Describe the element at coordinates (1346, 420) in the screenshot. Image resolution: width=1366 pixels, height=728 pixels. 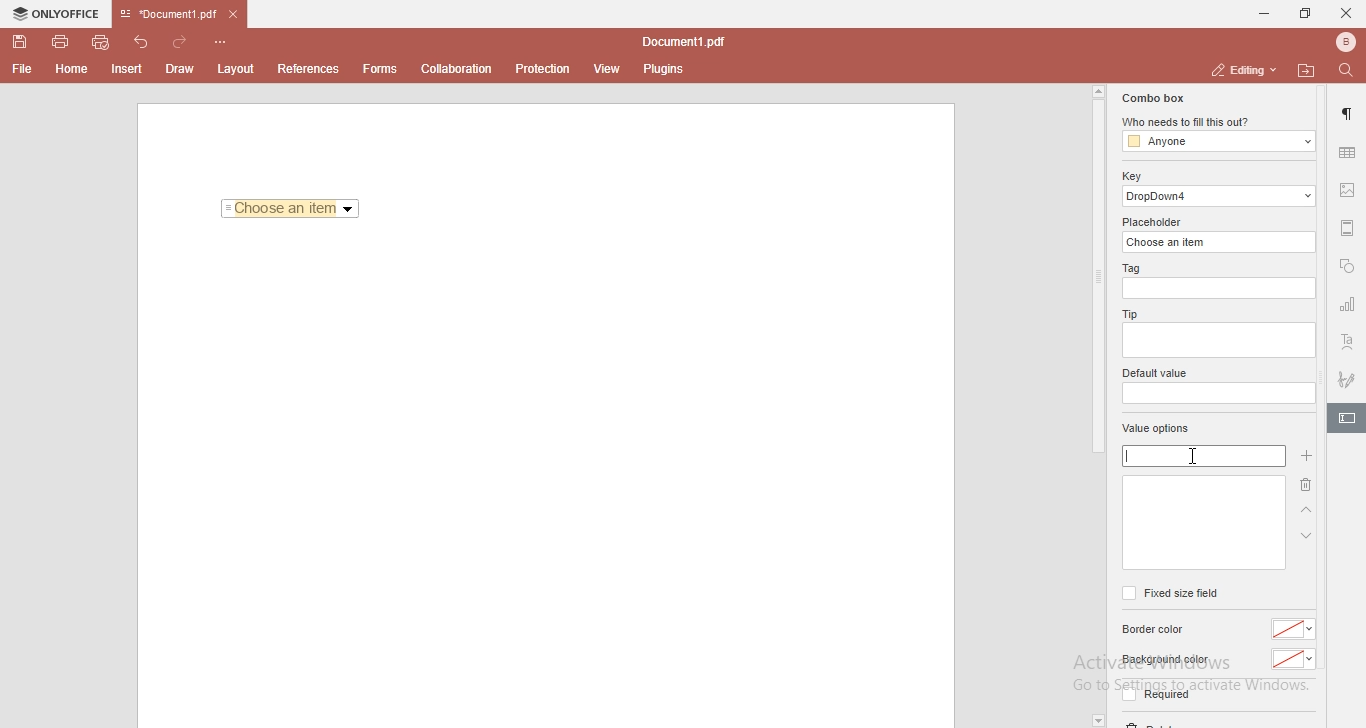
I see `highlighted` at that location.